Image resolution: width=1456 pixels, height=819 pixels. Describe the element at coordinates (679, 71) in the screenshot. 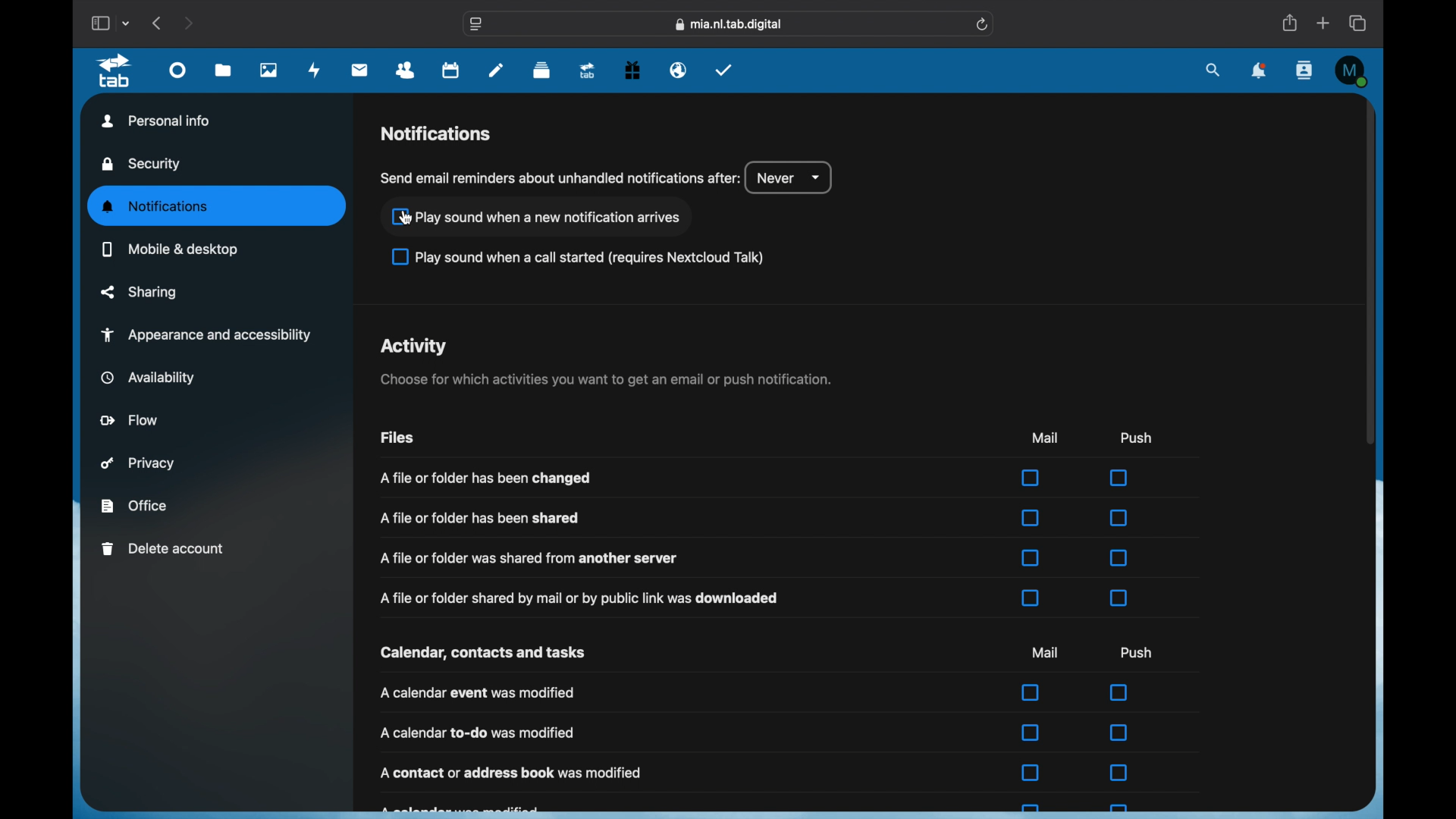

I see `emails` at that location.